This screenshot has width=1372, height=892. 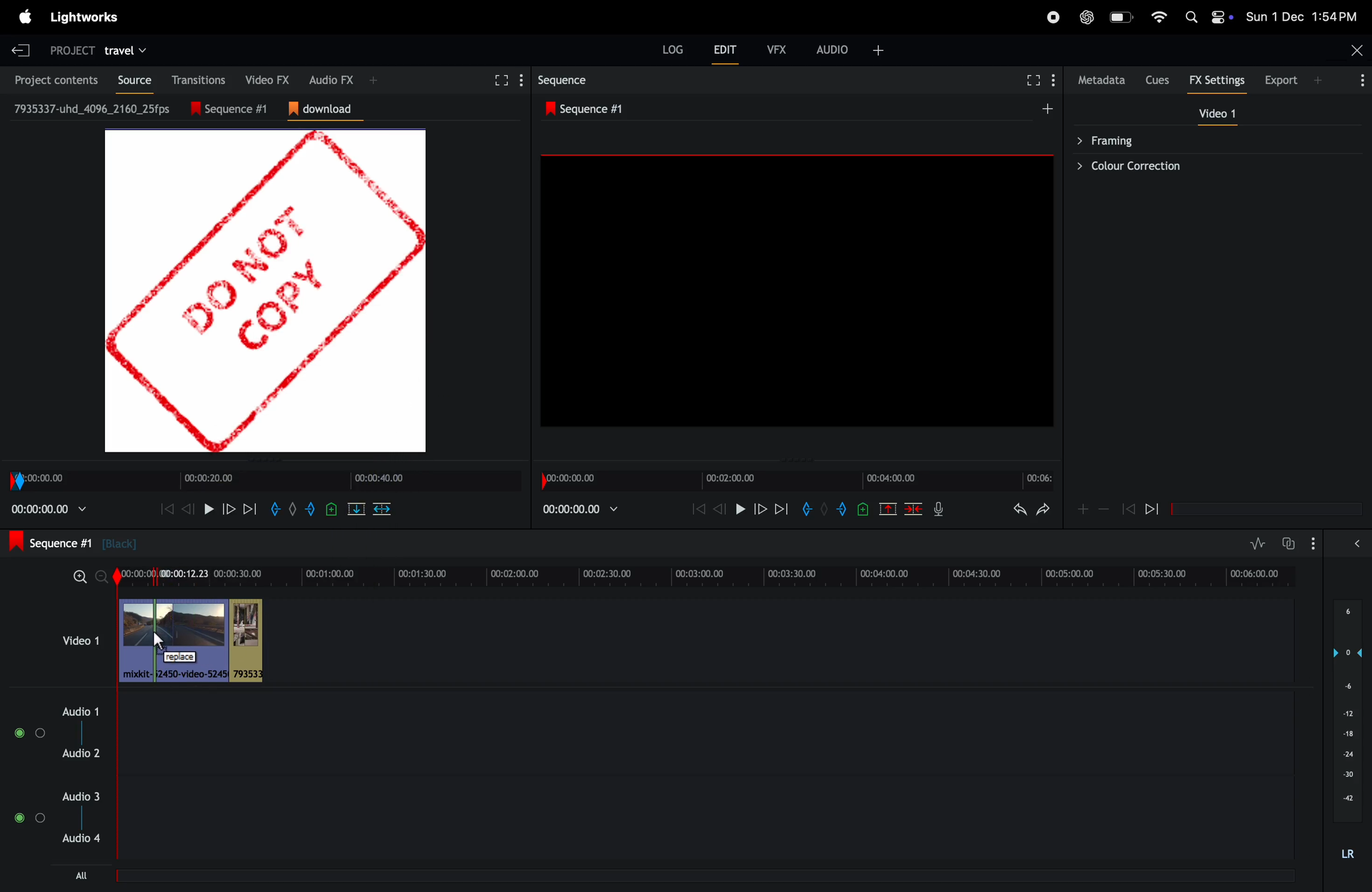 I want to click on zoom in zoom out, so click(x=1104, y=508).